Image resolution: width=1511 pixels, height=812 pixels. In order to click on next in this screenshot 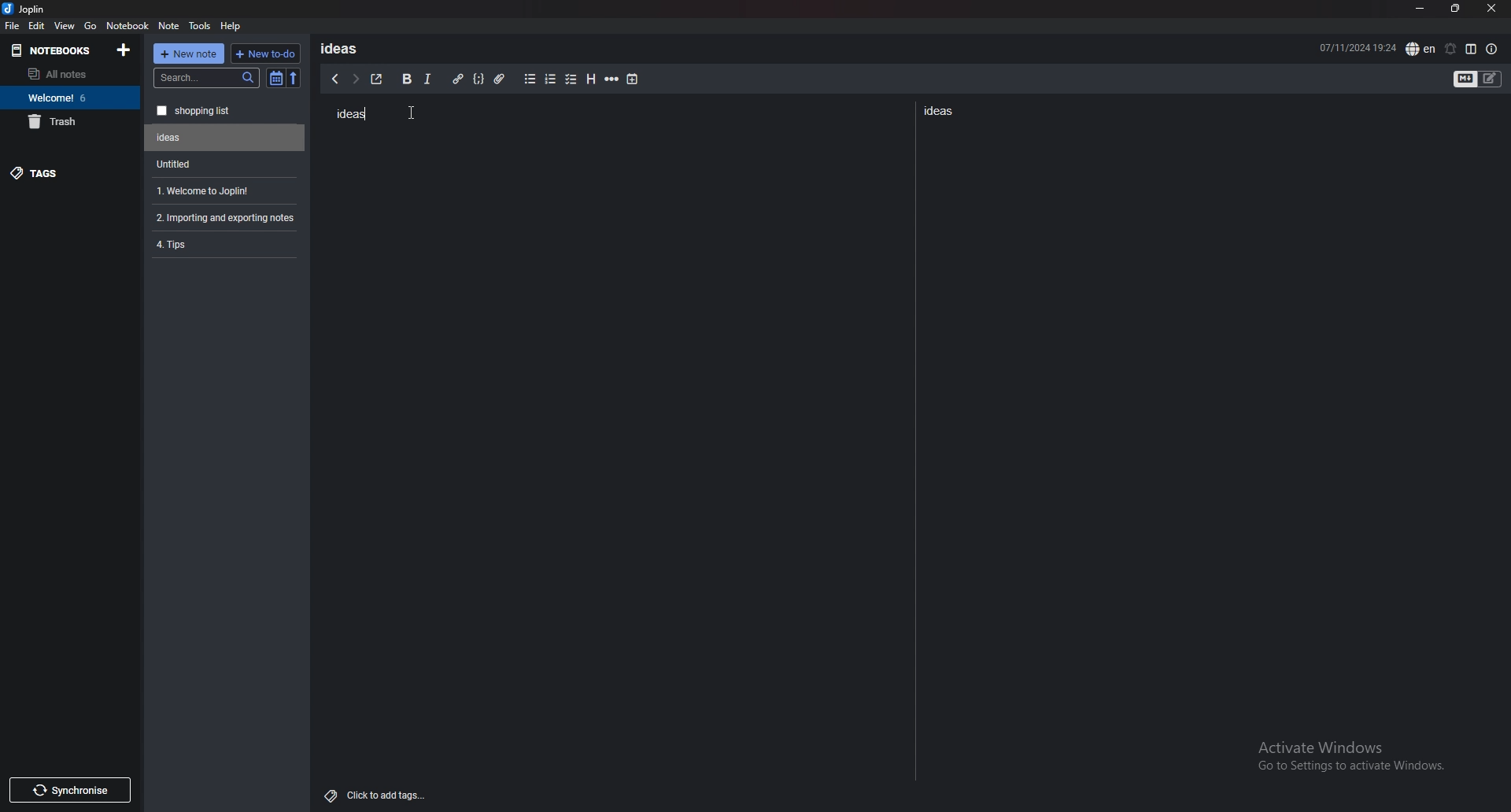, I will do `click(355, 79)`.